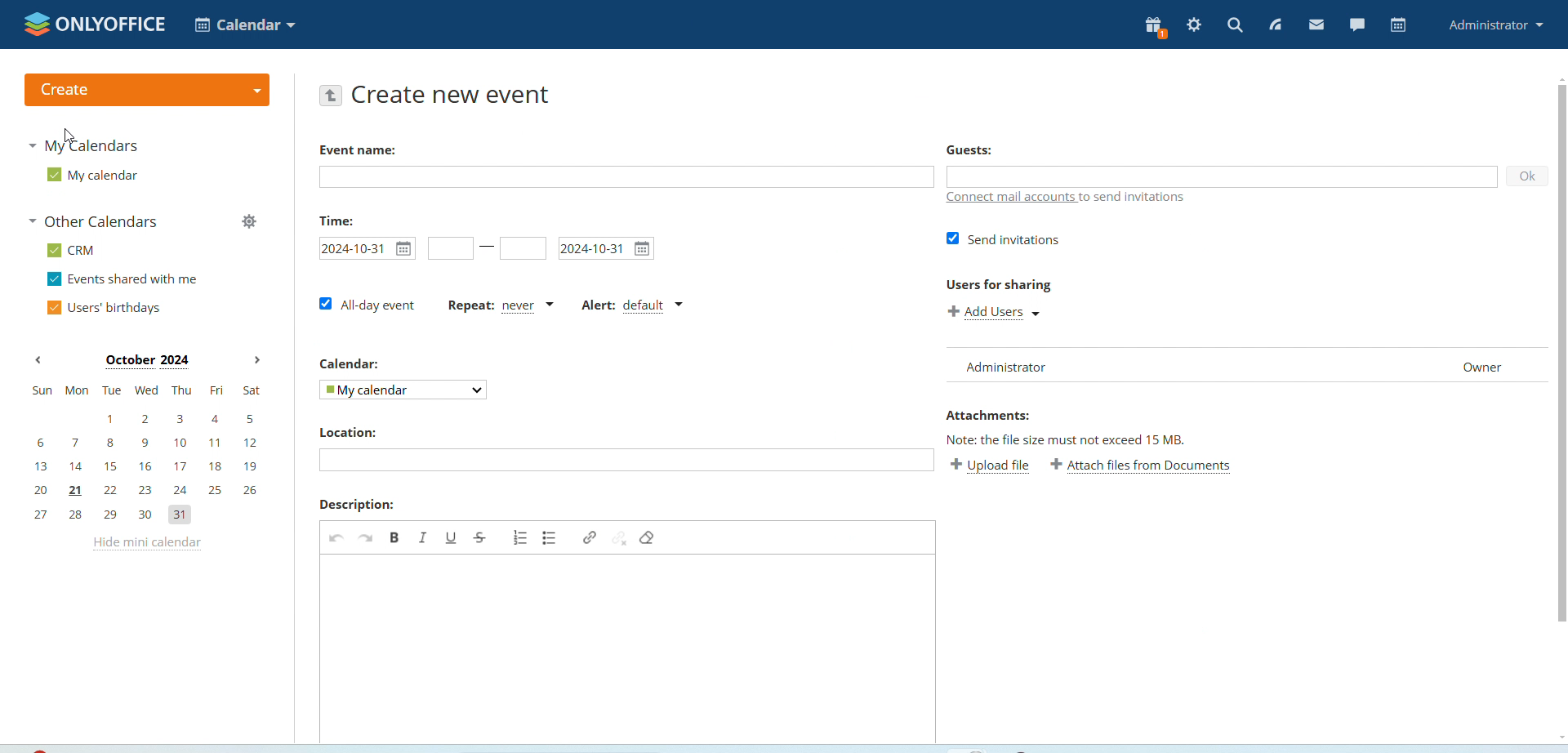 This screenshot has height=753, width=1568. I want to click on strikethrough, so click(482, 538).